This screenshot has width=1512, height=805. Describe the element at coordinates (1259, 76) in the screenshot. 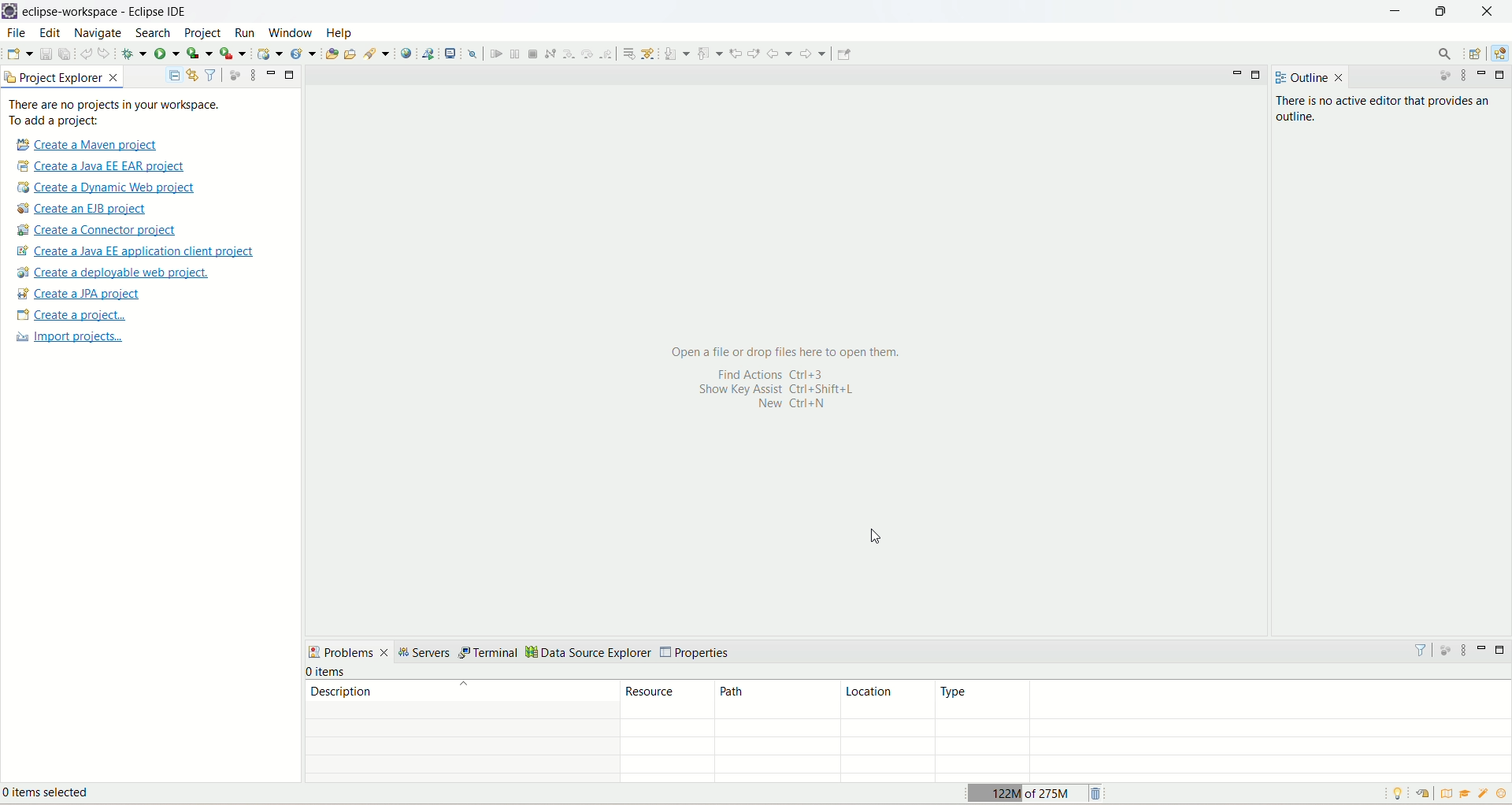

I see `maximize` at that location.